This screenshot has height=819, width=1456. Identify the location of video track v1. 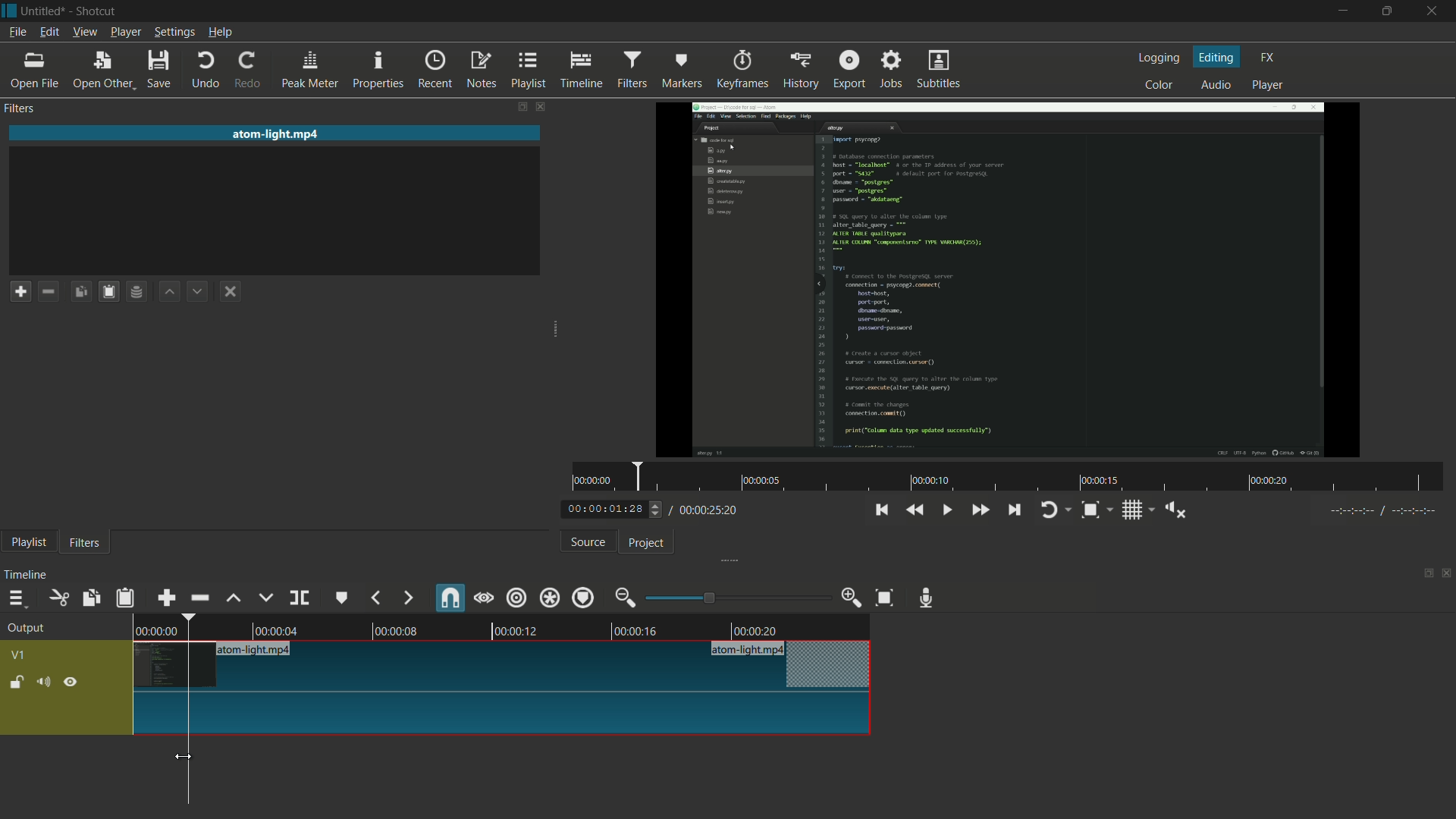
(504, 715).